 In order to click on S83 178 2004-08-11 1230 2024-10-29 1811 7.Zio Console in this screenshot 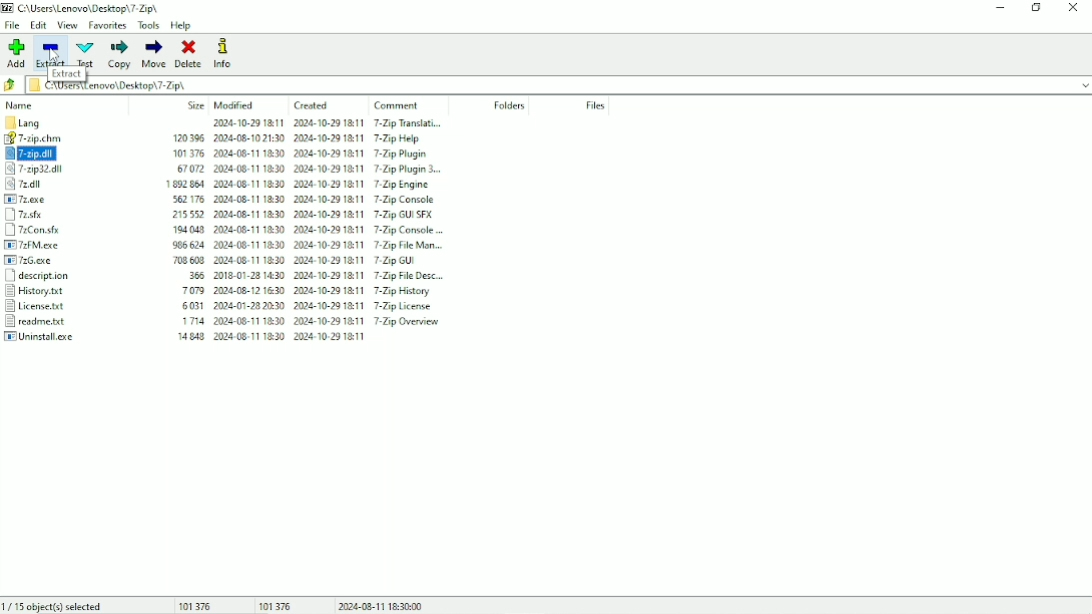, I will do `click(306, 197)`.